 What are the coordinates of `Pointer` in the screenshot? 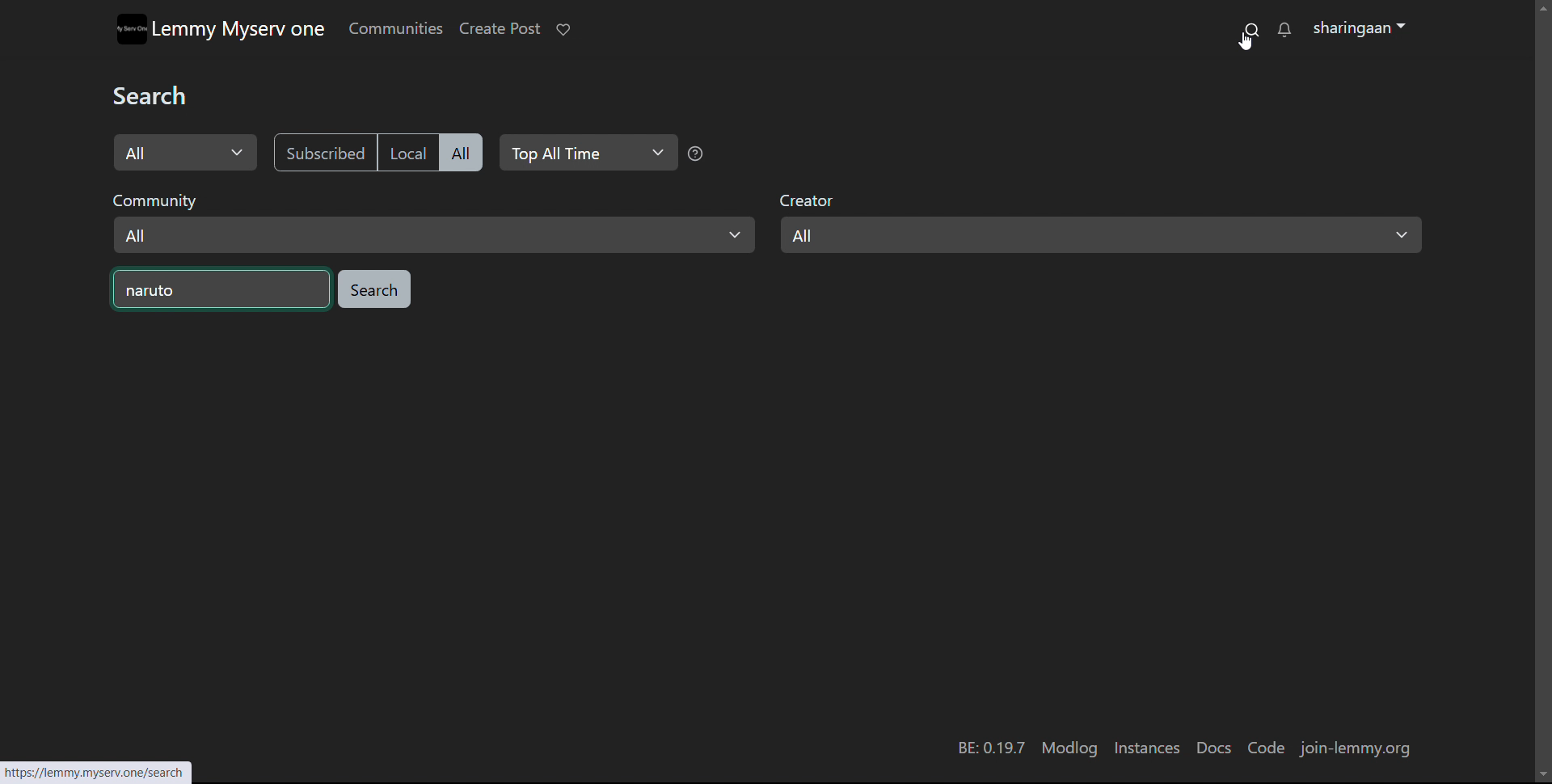 It's located at (1244, 44).